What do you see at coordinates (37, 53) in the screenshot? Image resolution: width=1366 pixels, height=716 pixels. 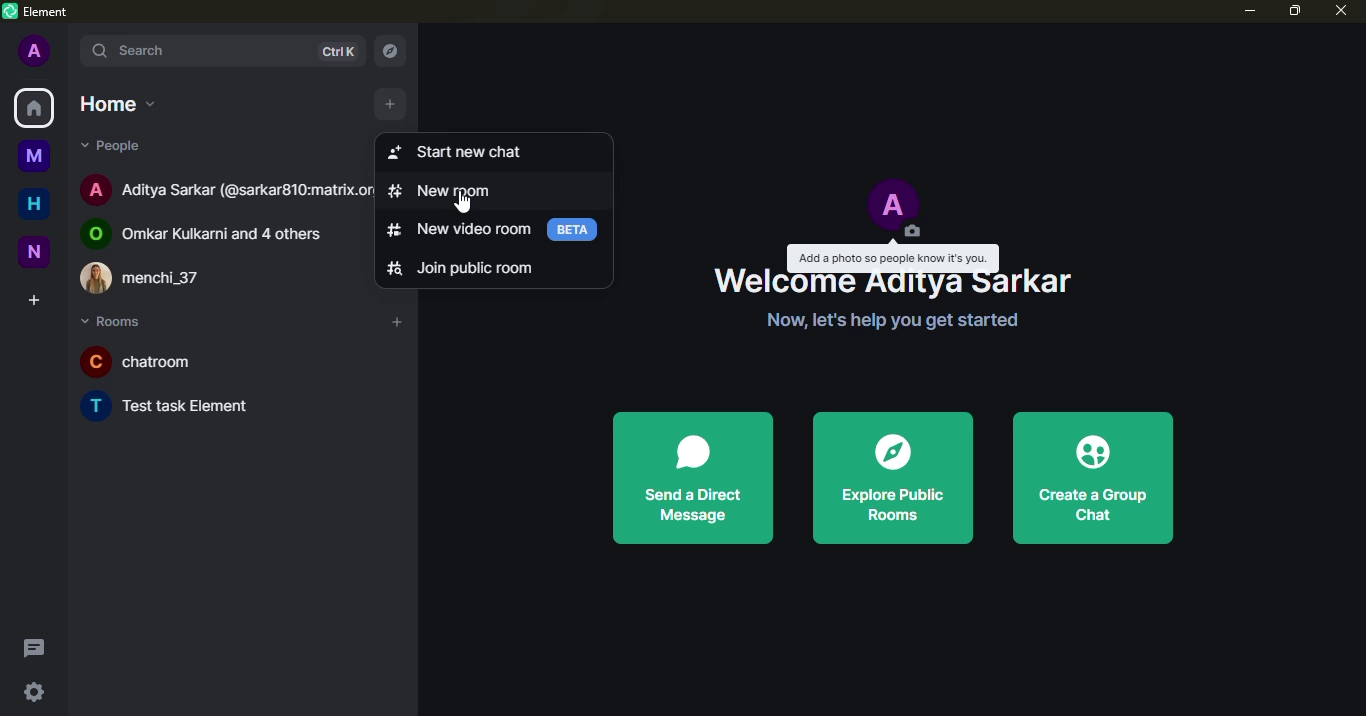 I see `profile` at bounding box center [37, 53].